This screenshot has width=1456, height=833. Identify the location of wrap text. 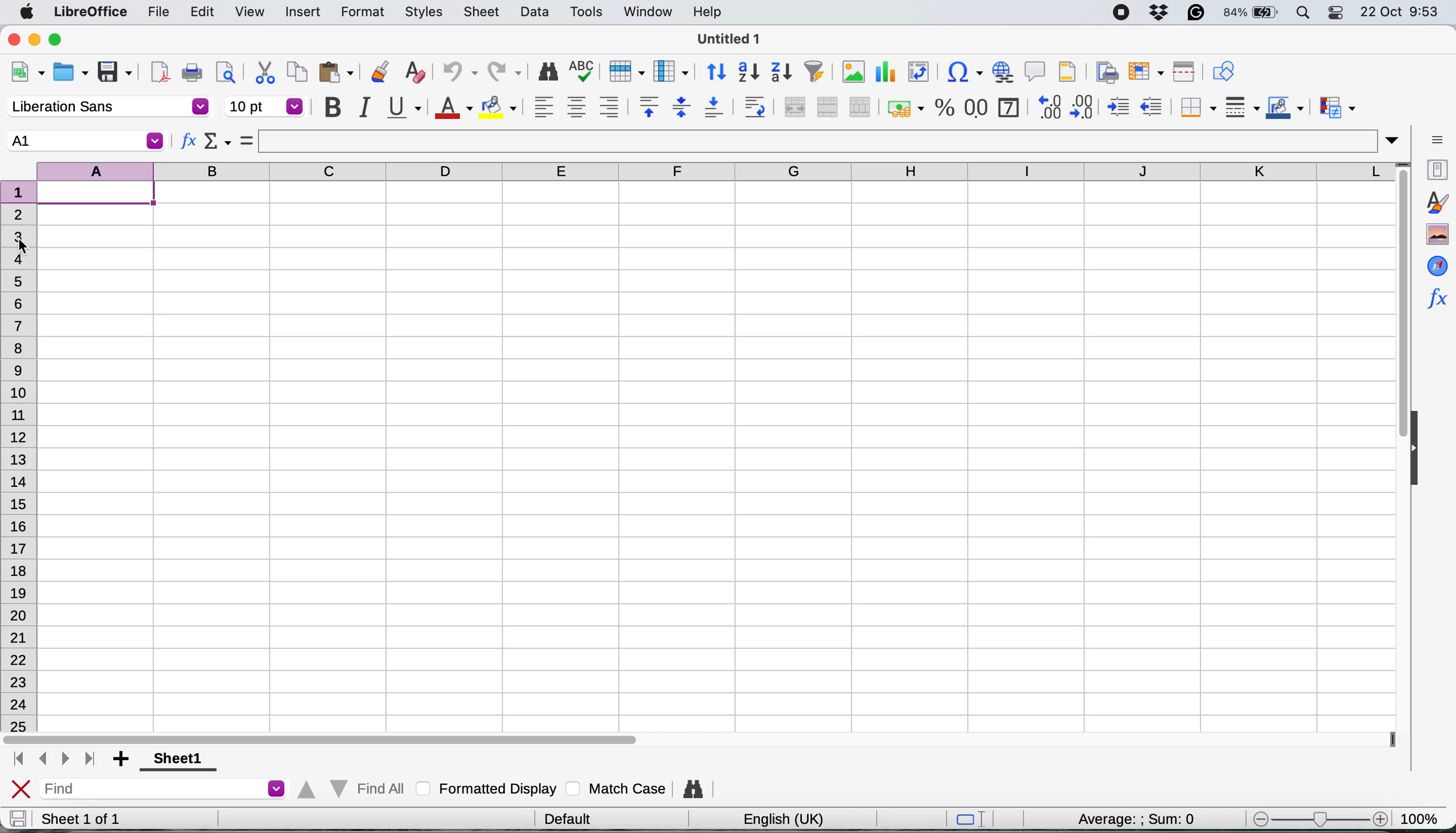
(755, 106).